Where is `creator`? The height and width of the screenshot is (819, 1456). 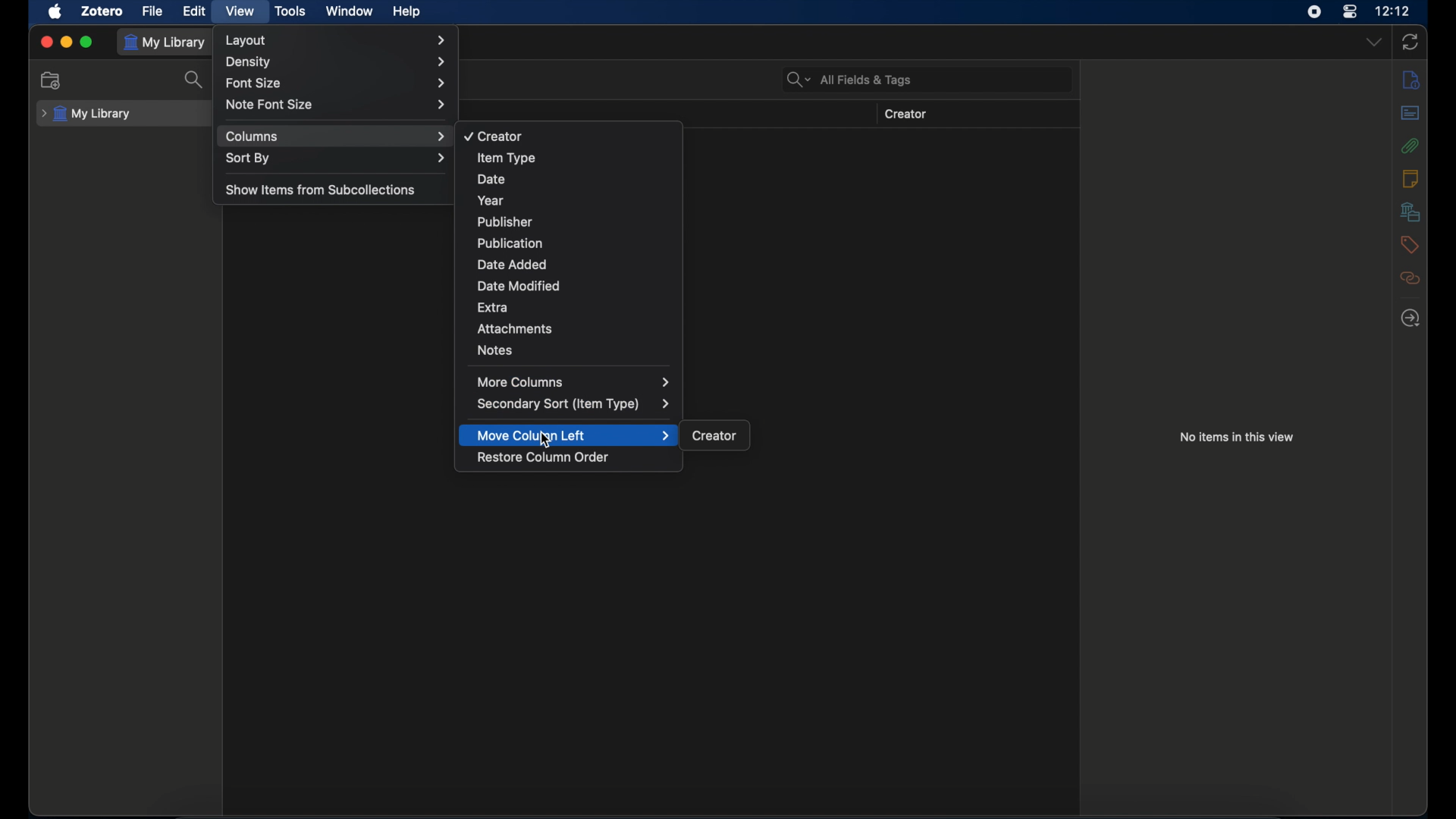 creator is located at coordinates (906, 115).